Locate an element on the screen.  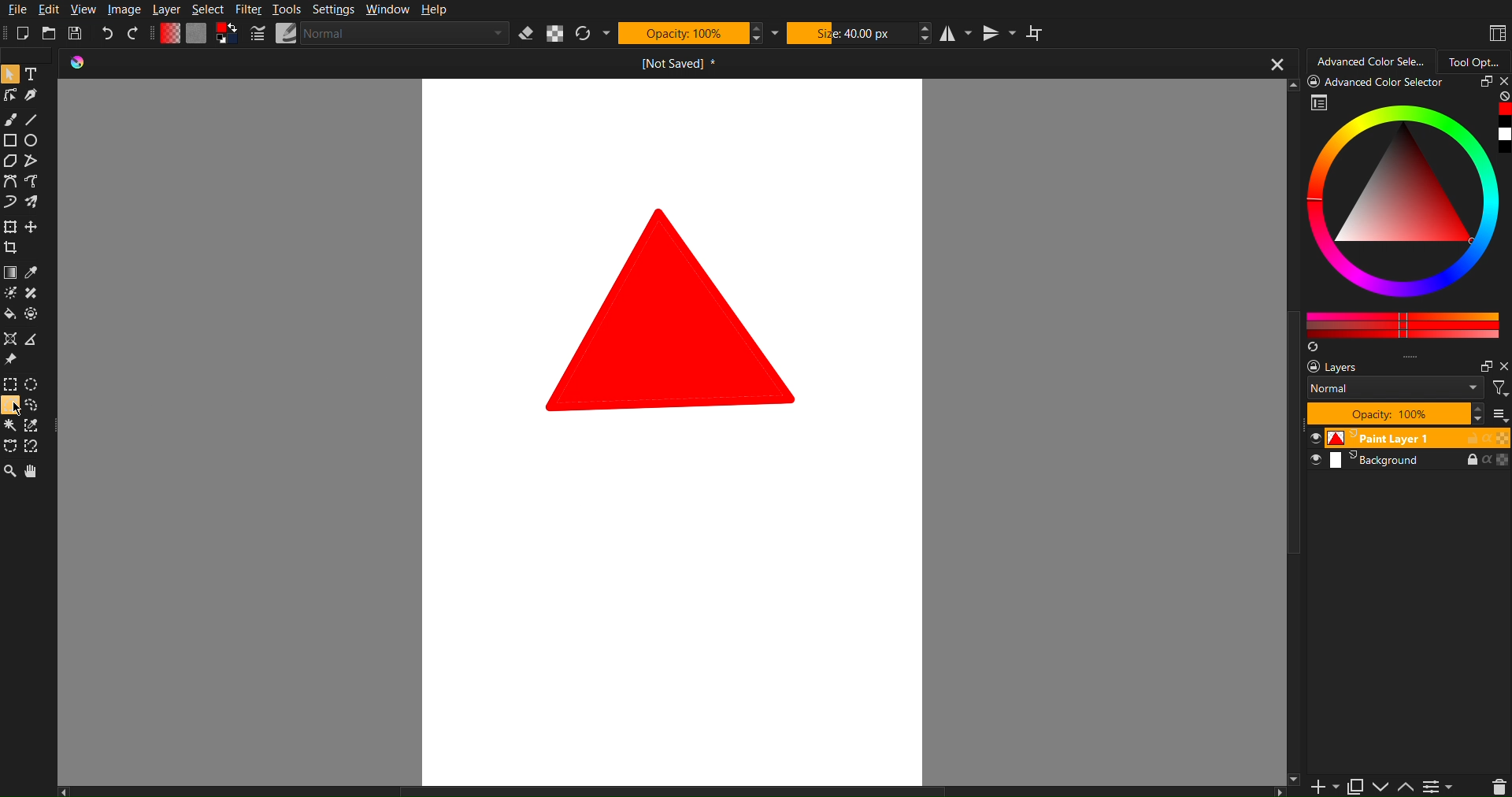
Selection dropper is located at coordinates (32, 426).